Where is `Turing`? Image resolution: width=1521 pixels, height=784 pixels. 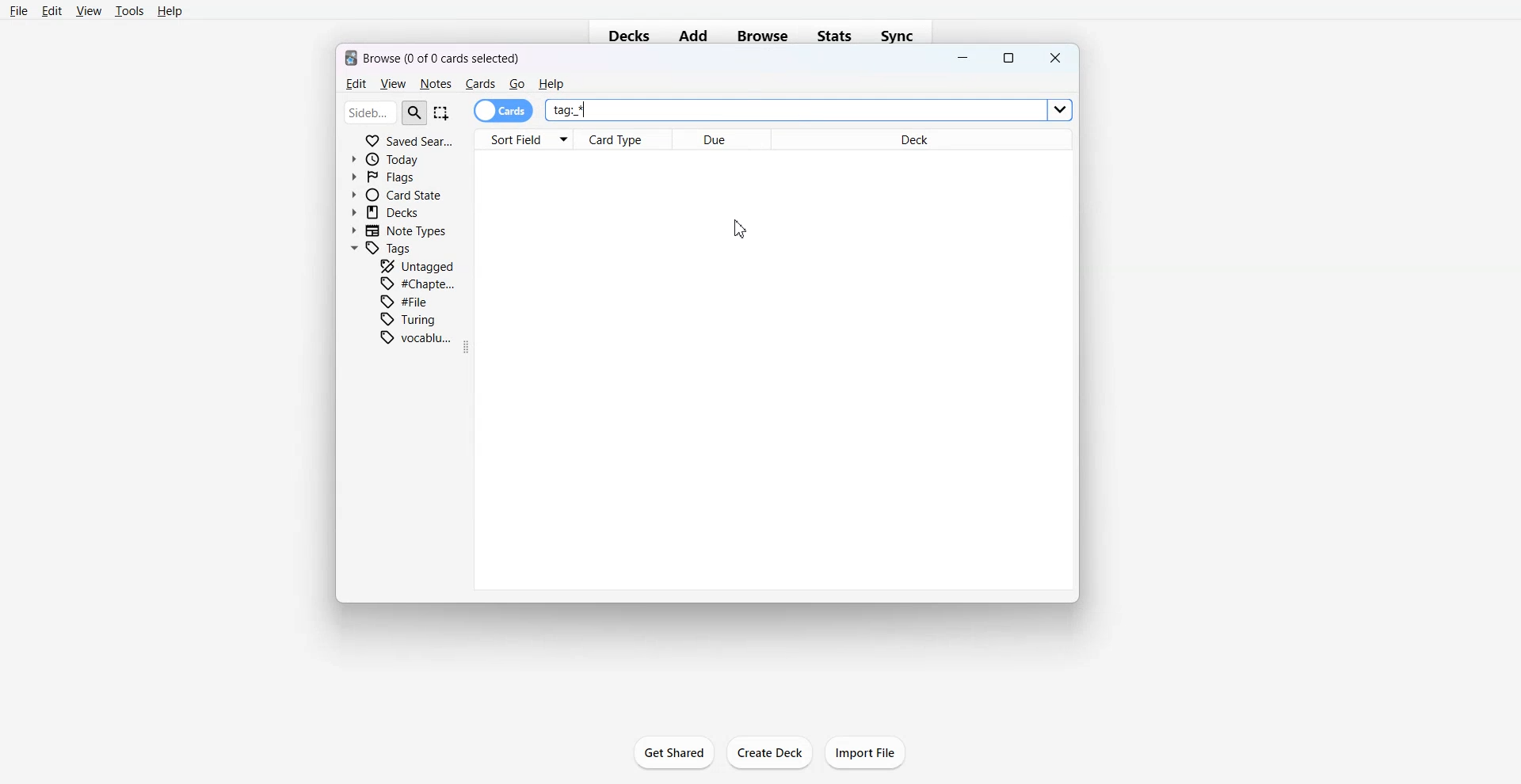
Turing is located at coordinates (409, 319).